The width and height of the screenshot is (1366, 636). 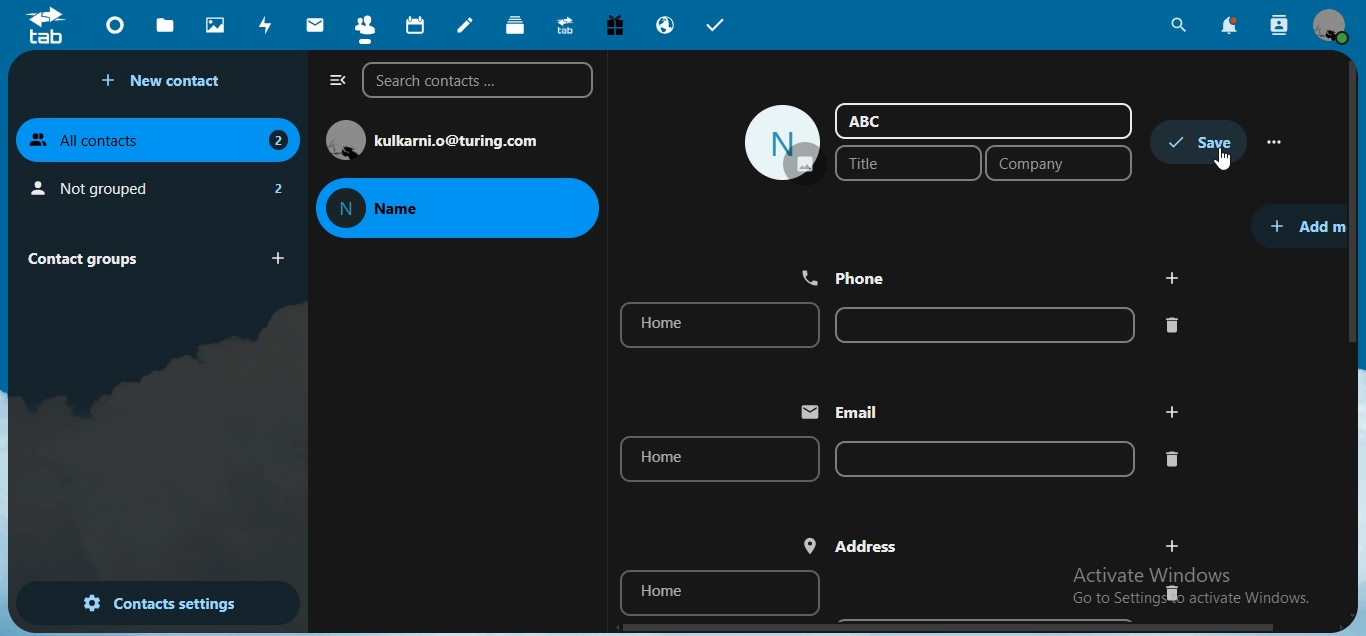 I want to click on name, so click(x=449, y=209).